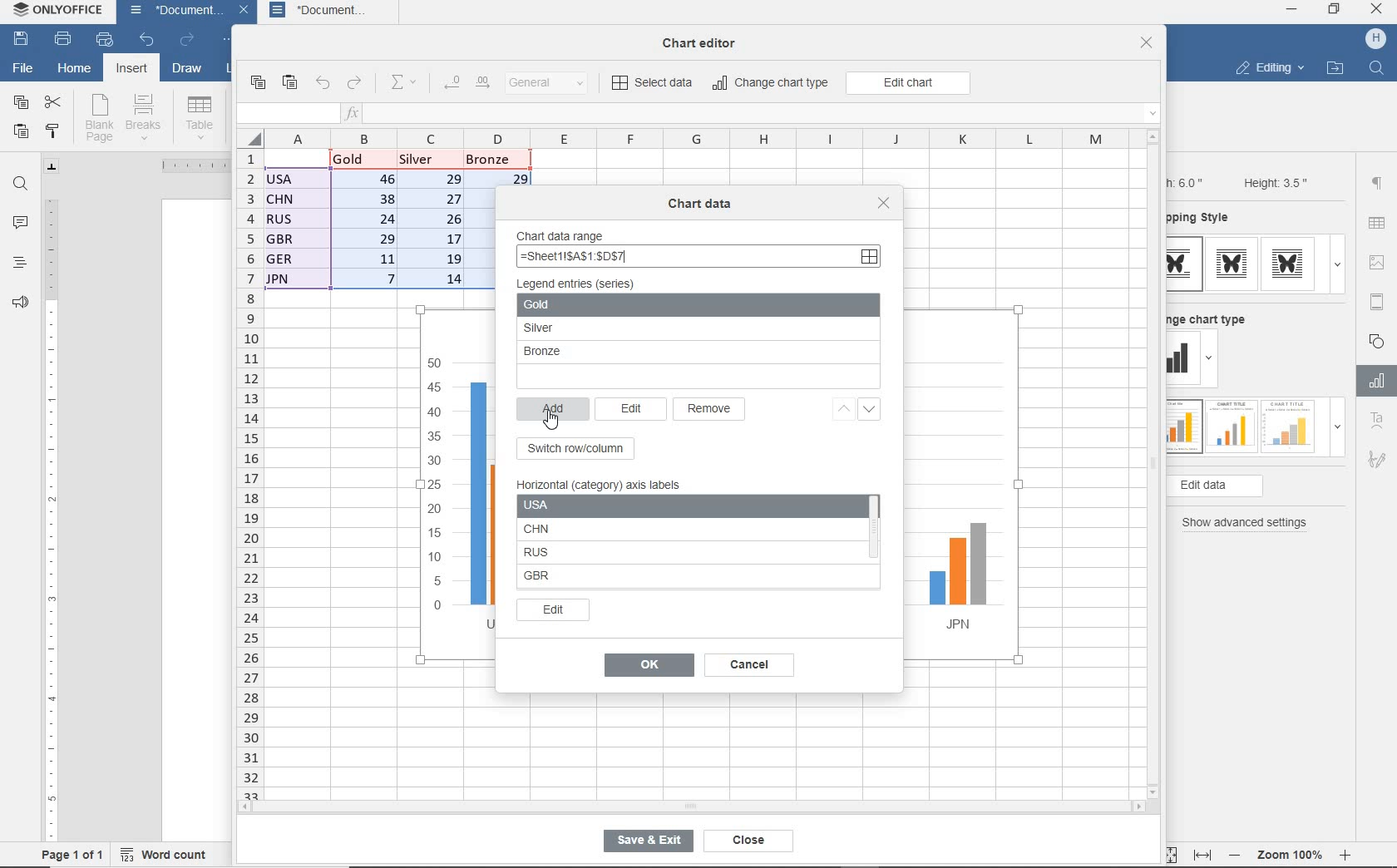 Image resolution: width=1397 pixels, height=868 pixels. What do you see at coordinates (1194, 185) in the screenshot?
I see `Width: 6.0"` at bounding box center [1194, 185].